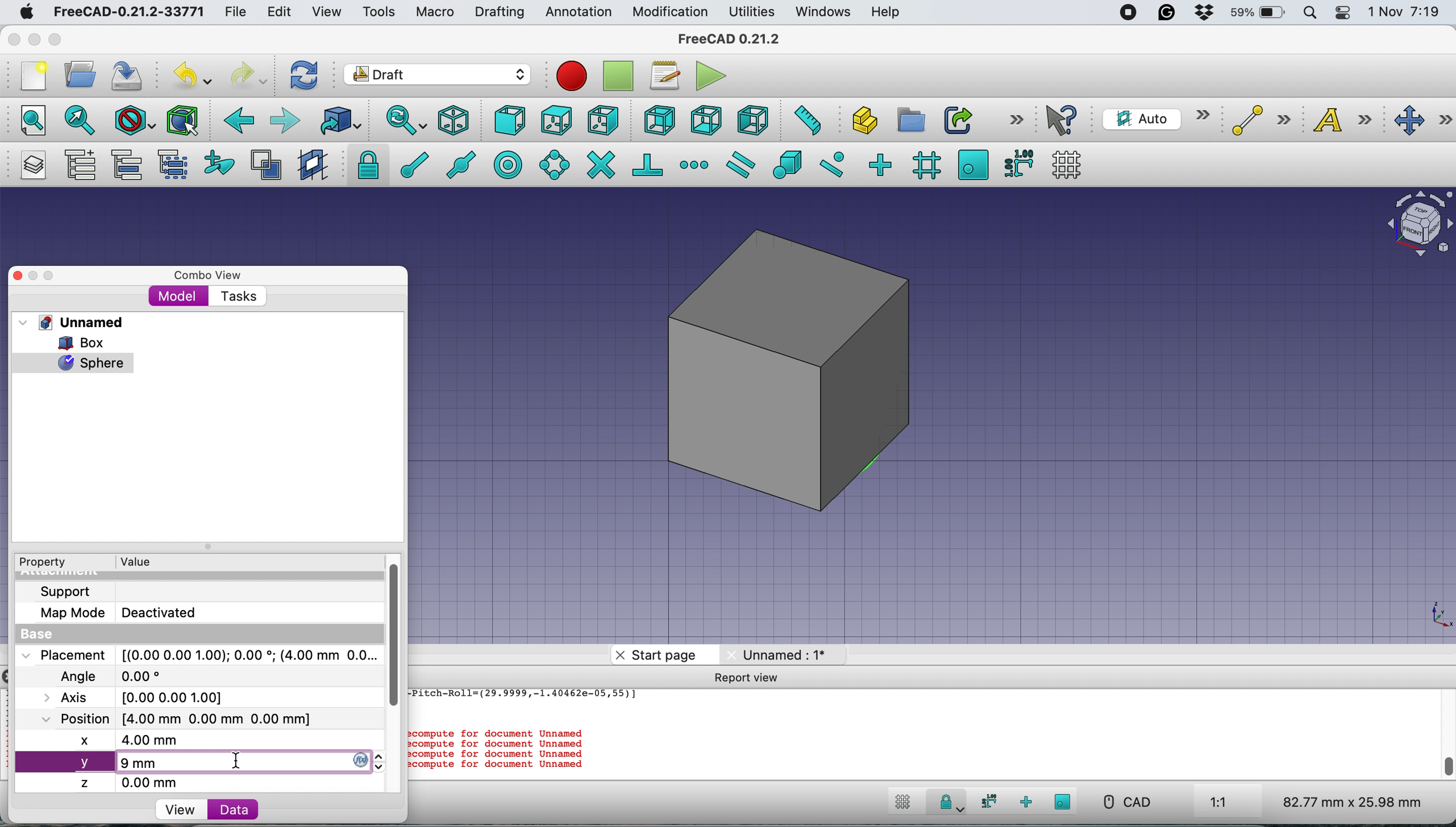  What do you see at coordinates (236, 120) in the screenshot?
I see `backward` at bounding box center [236, 120].